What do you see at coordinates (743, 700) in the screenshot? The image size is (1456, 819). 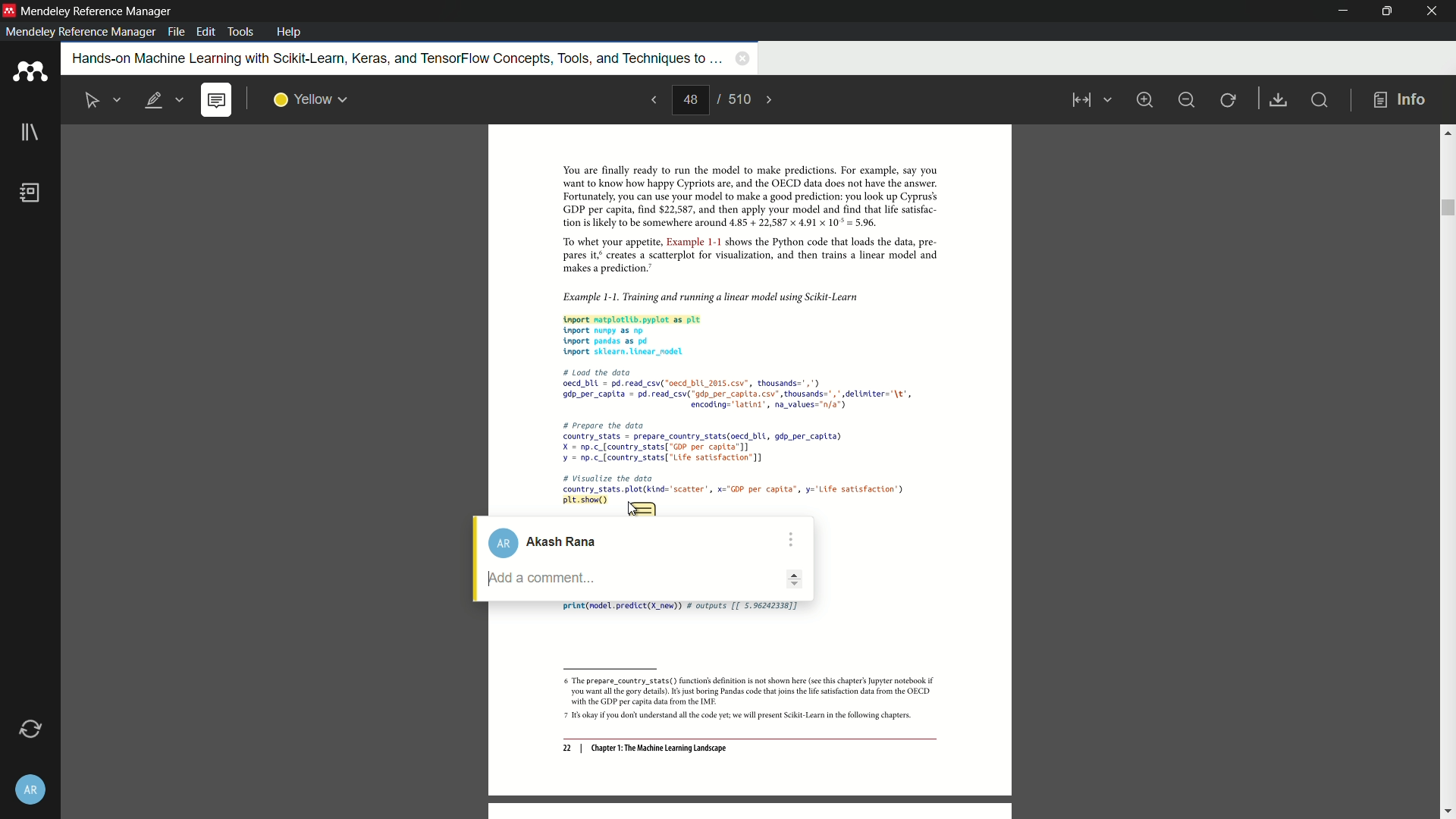 I see `6 The prepare_country_stats() function's definition is not shown here (see this chapter's Jupyter notebook if
‘you want al th gory details). 6s just boring Pandas code that joins th ie satisfaction data from the OECD
‘with the GDP per capita dta from the IMF:

7 1s okay you dont understand all the code yet we will present Scikit-Lear inthe following chapters.` at bounding box center [743, 700].